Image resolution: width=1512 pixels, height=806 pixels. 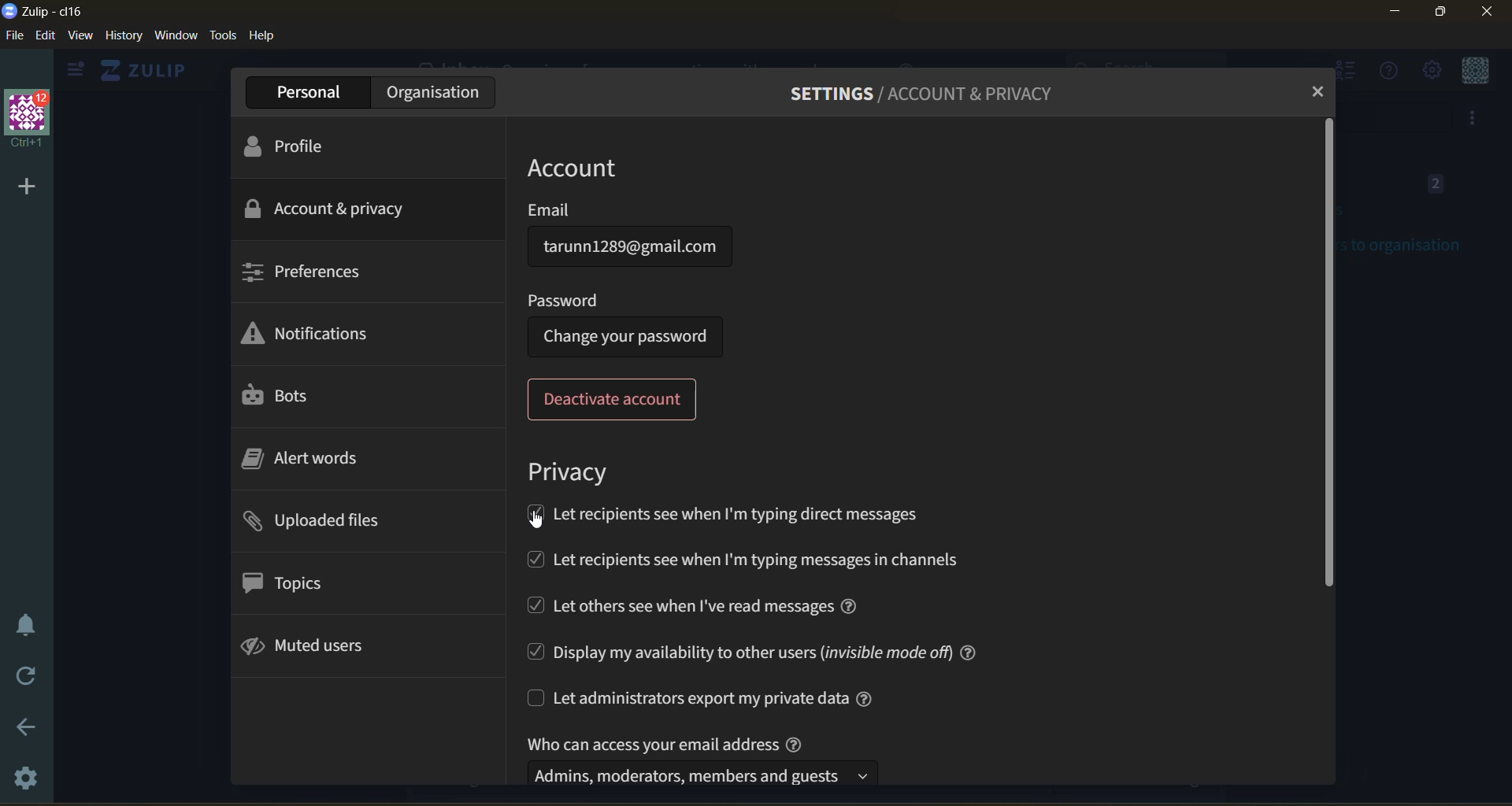 I want to click on option to invite users to organisation, so click(x=1474, y=120).